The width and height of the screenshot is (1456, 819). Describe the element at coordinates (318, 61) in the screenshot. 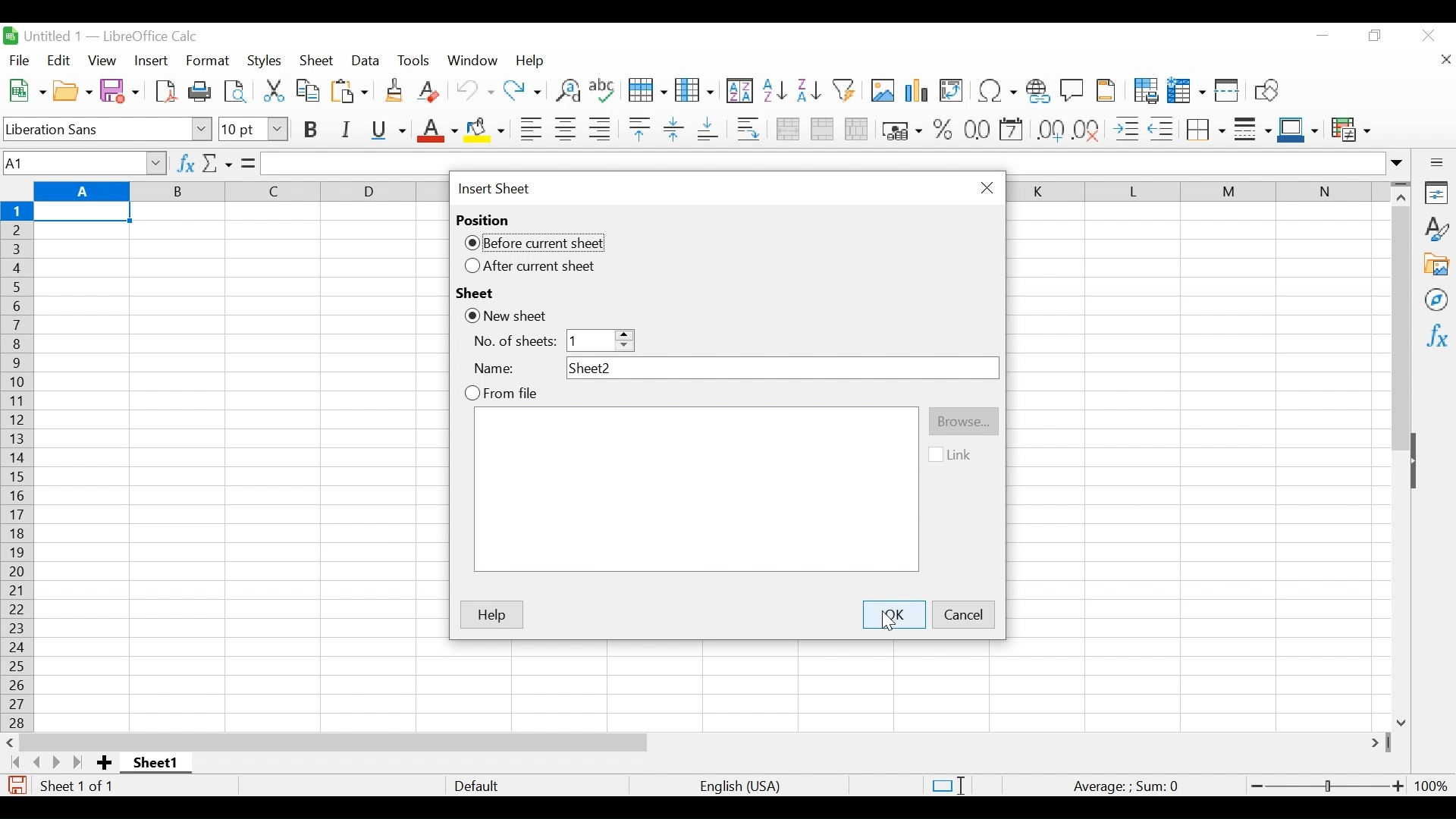

I see `Sheet` at that location.